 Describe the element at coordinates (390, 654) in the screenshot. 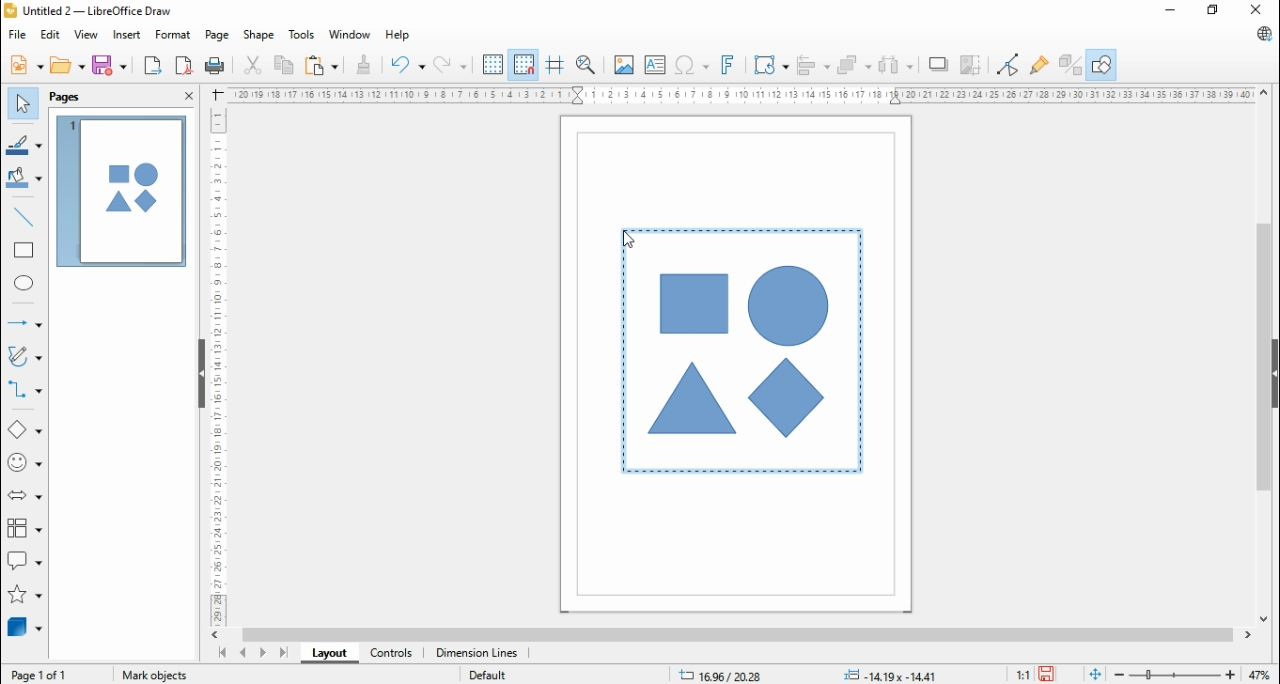

I see `controls` at that location.